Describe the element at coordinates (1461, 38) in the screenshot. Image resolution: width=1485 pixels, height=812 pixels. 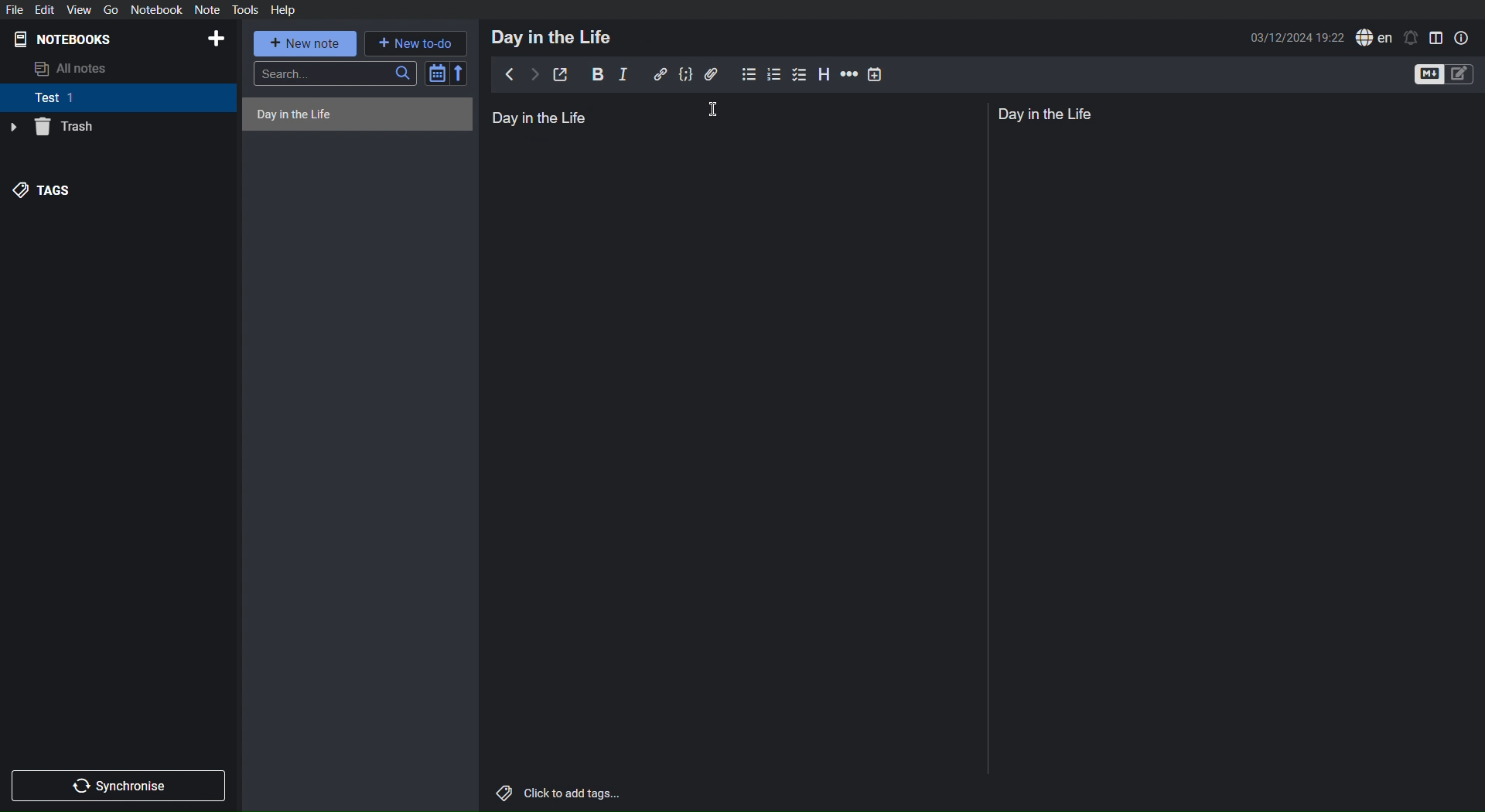
I see `Note Properties` at that location.